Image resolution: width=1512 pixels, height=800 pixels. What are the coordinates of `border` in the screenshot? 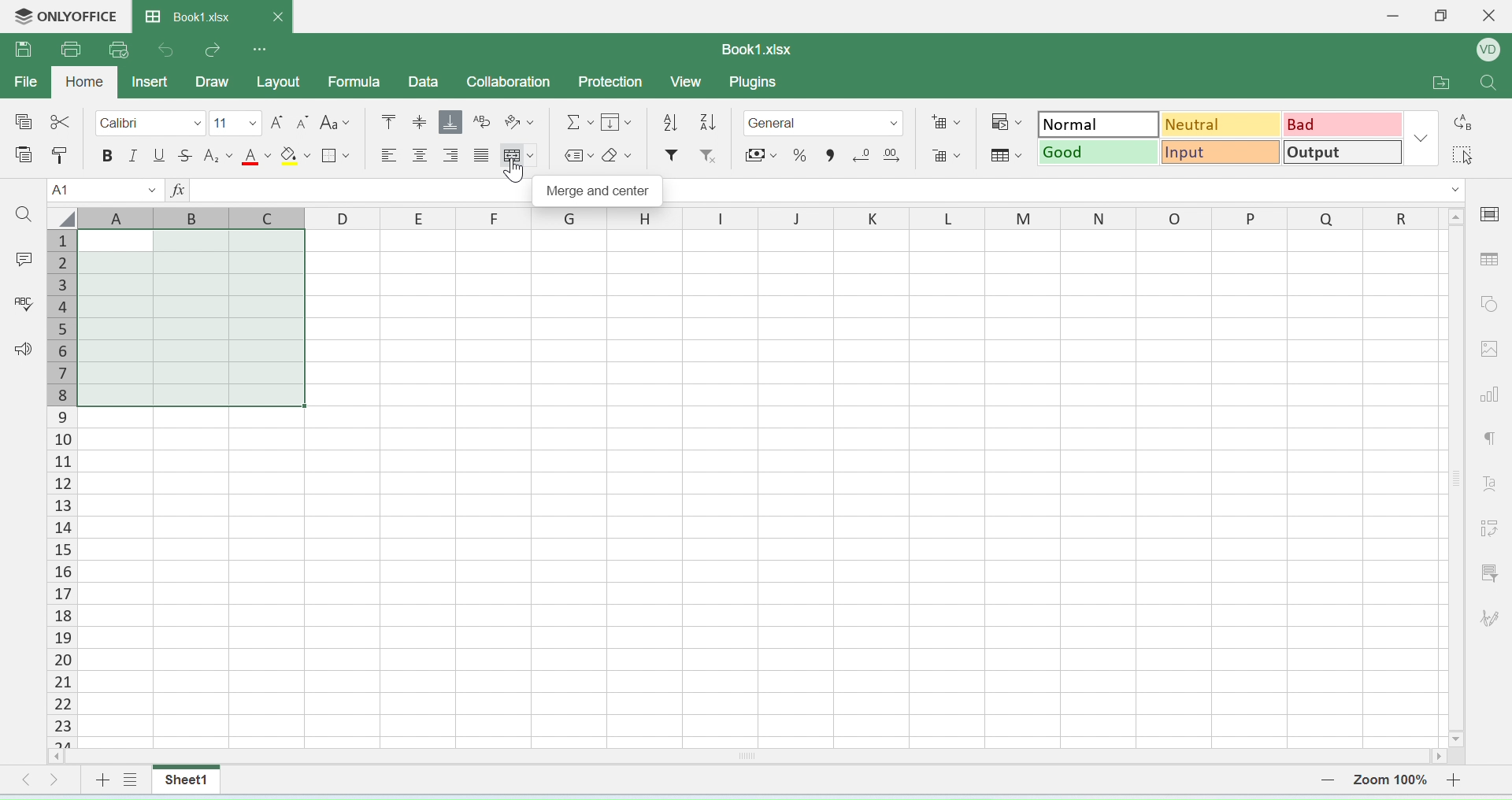 It's located at (336, 157).